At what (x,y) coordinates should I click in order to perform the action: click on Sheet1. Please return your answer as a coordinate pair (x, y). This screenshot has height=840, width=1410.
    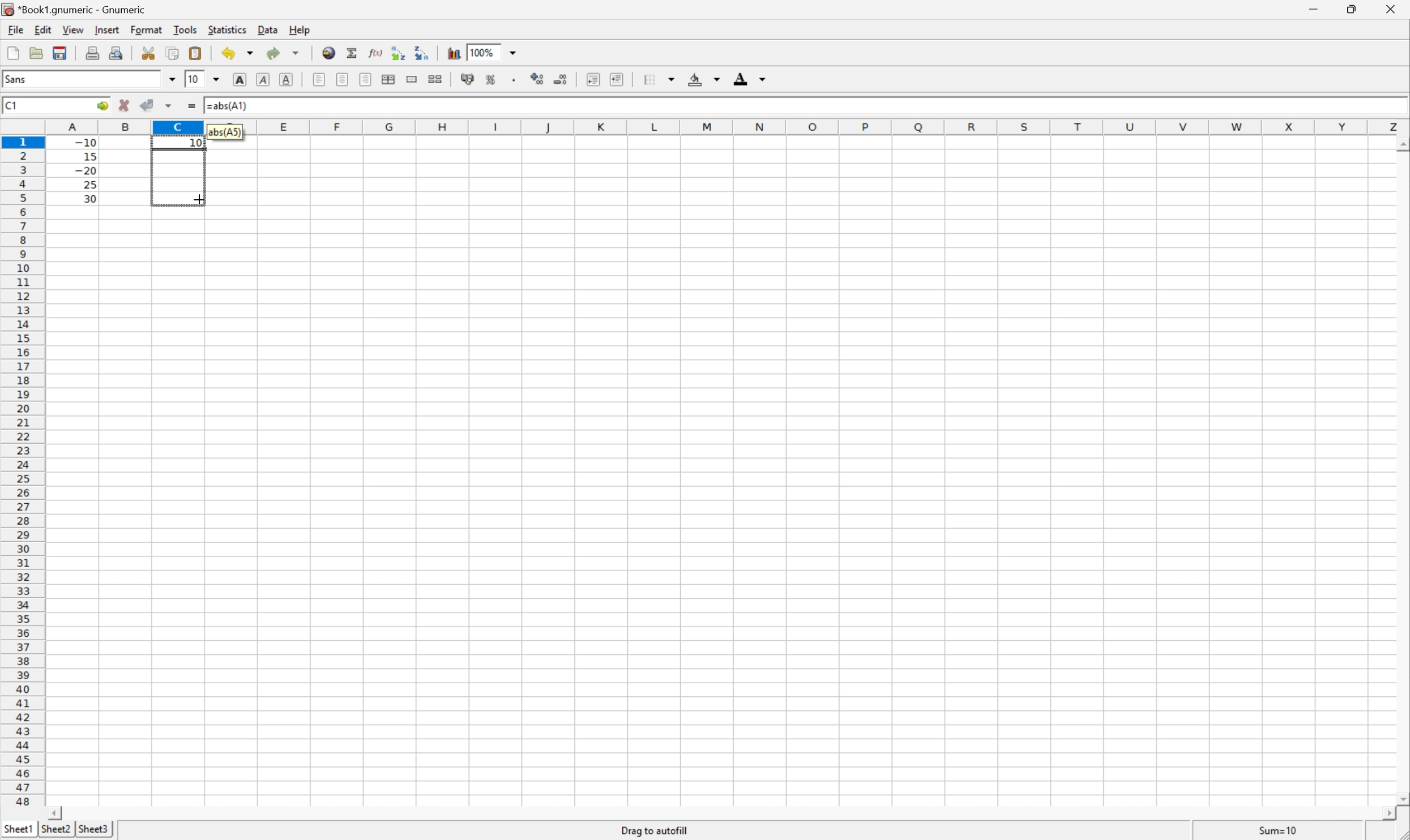
    Looking at the image, I should click on (19, 827).